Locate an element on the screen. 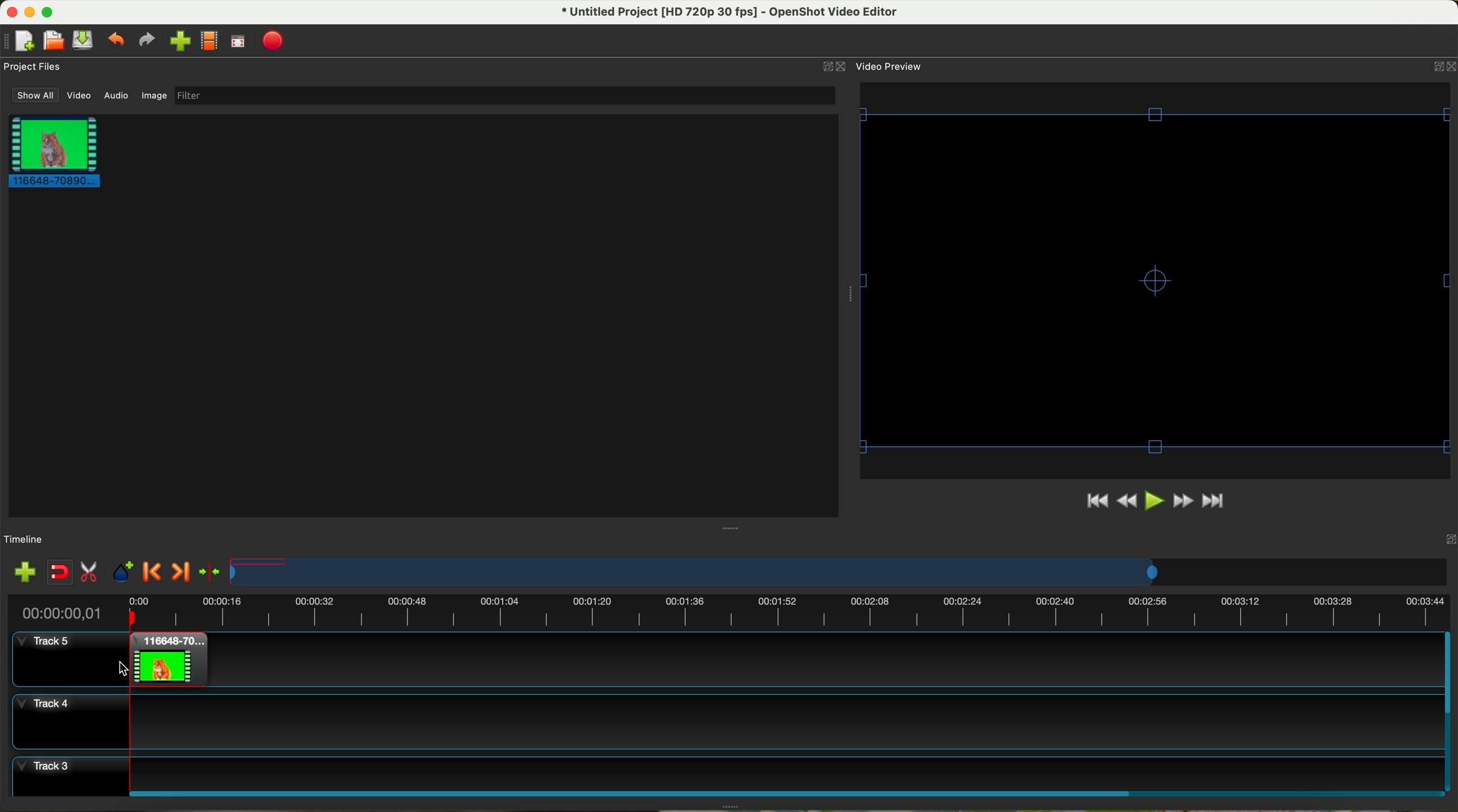 The width and height of the screenshot is (1458, 812). import files is located at coordinates (24, 573).